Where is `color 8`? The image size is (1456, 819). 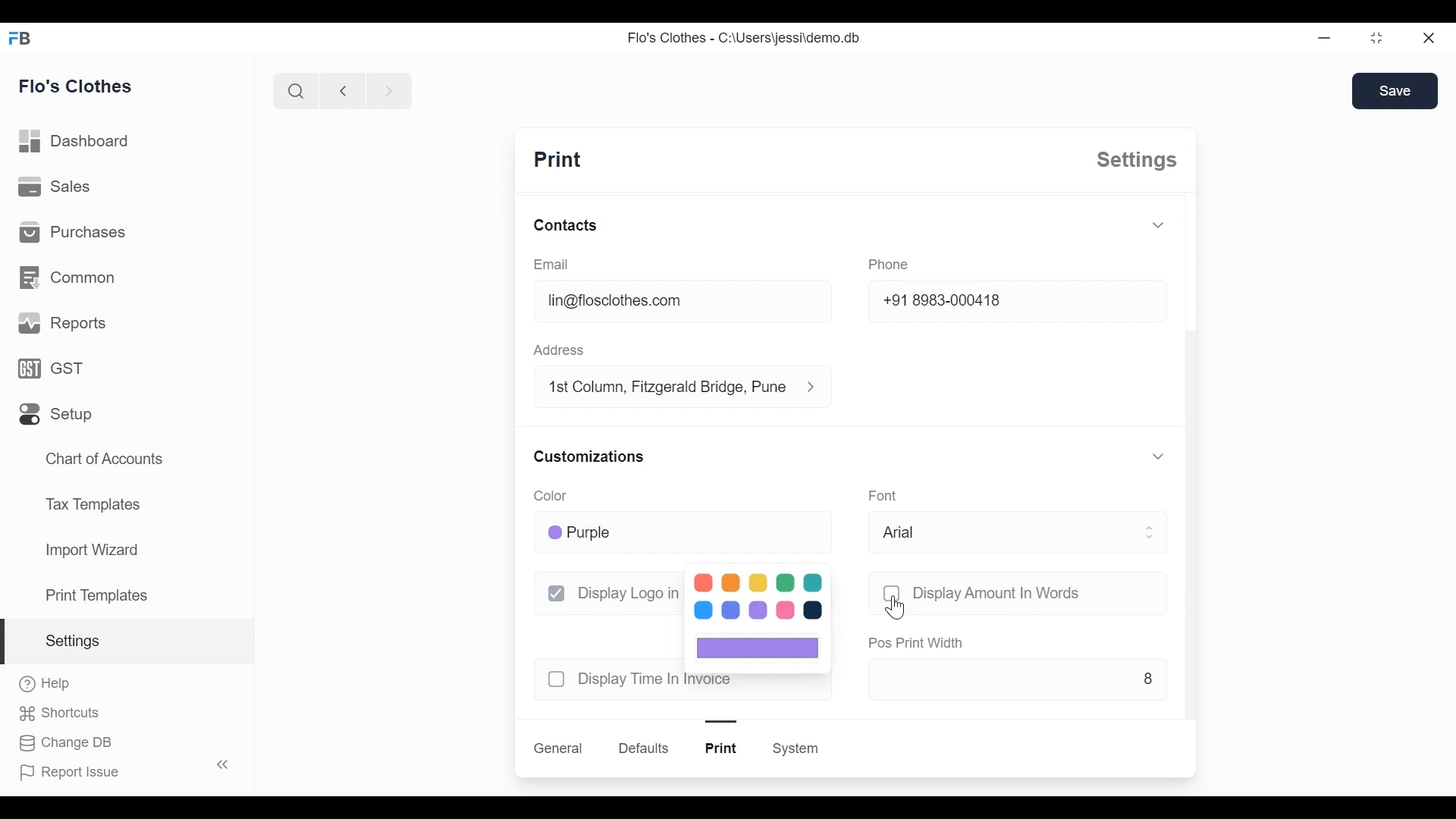 color 8 is located at coordinates (758, 610).